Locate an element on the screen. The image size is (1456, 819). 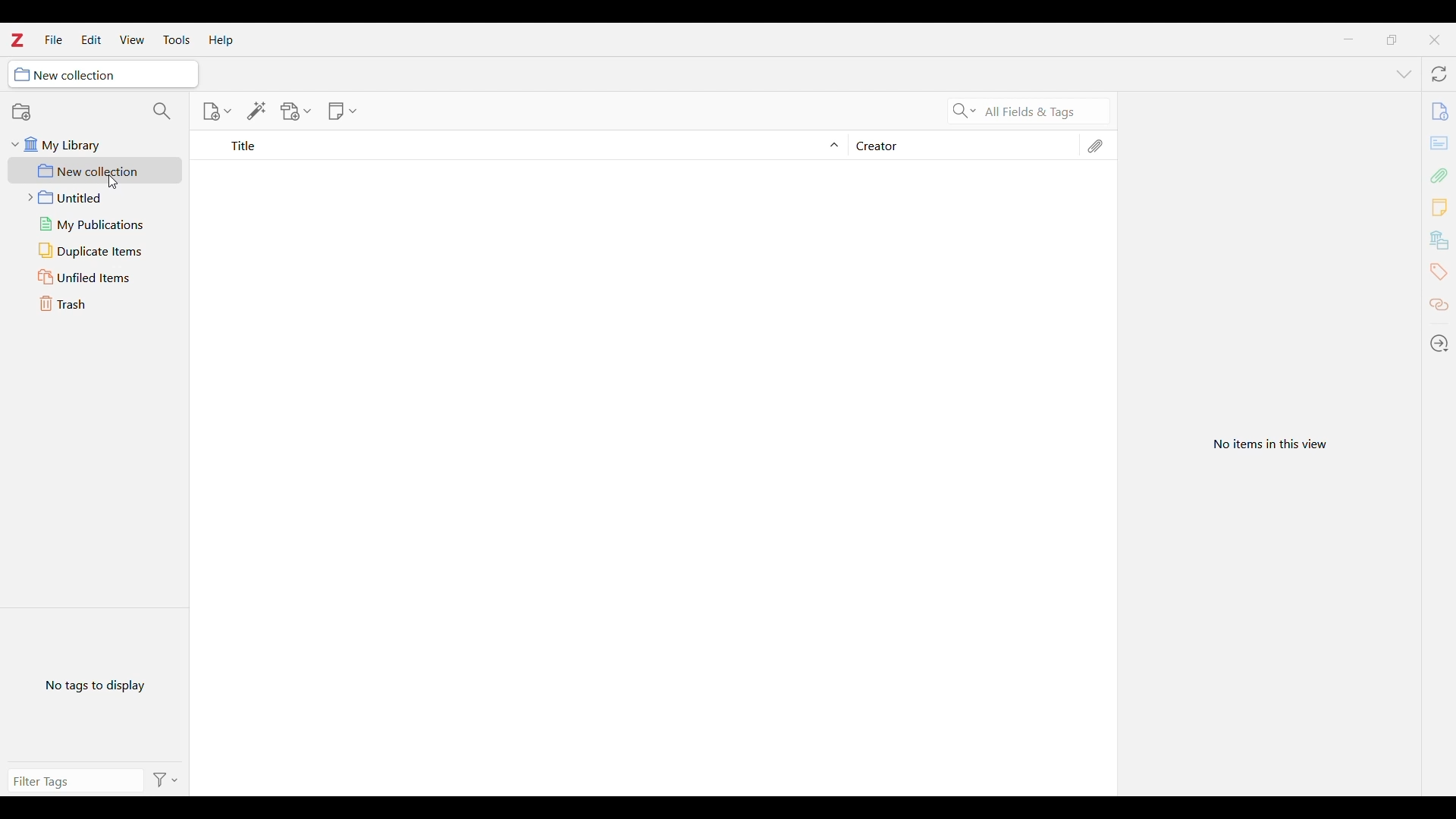
Search criteria options is located at coordinates (965, 110).